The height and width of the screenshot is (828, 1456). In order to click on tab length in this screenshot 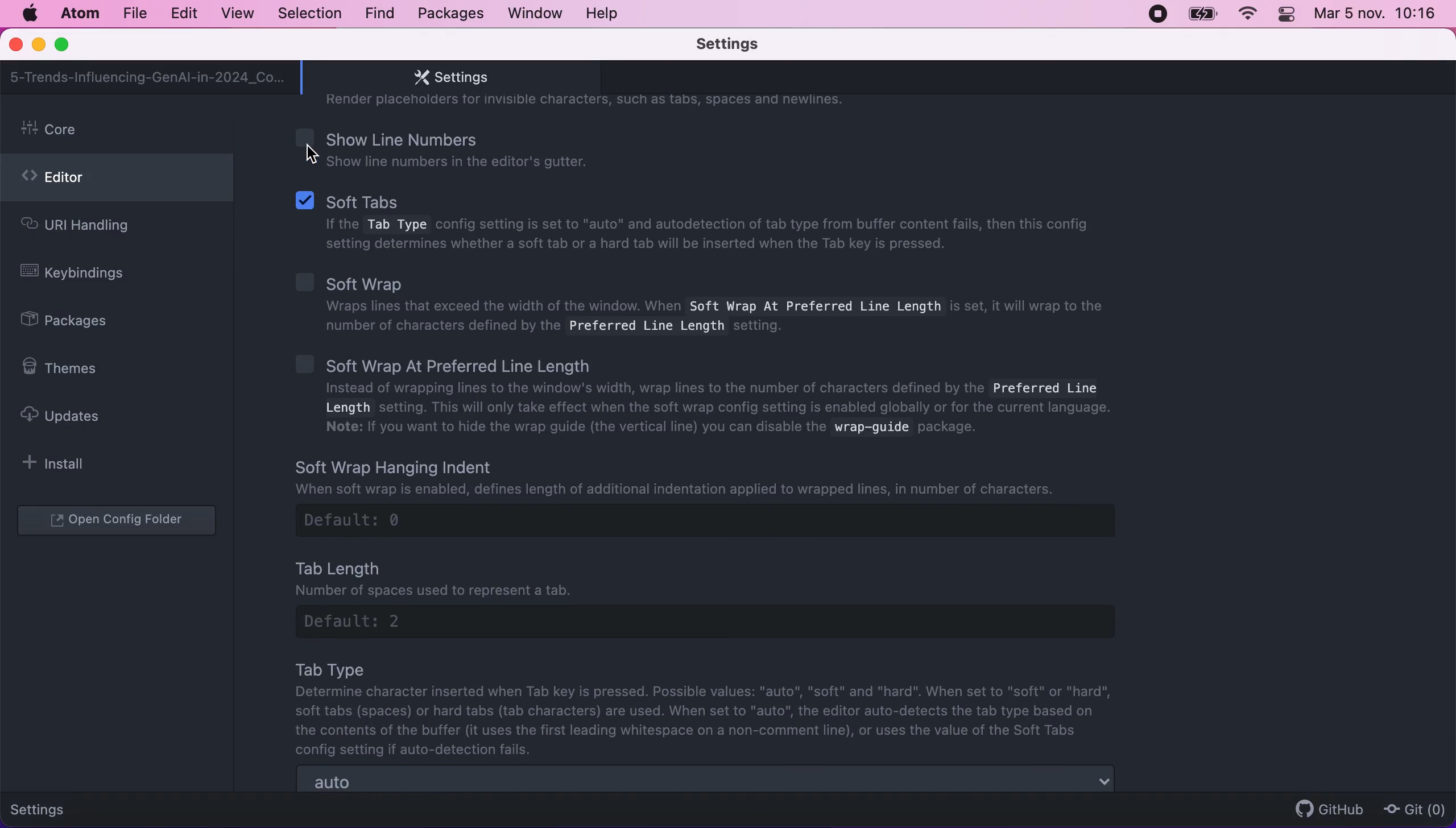, I will do `click(722, 596)`.